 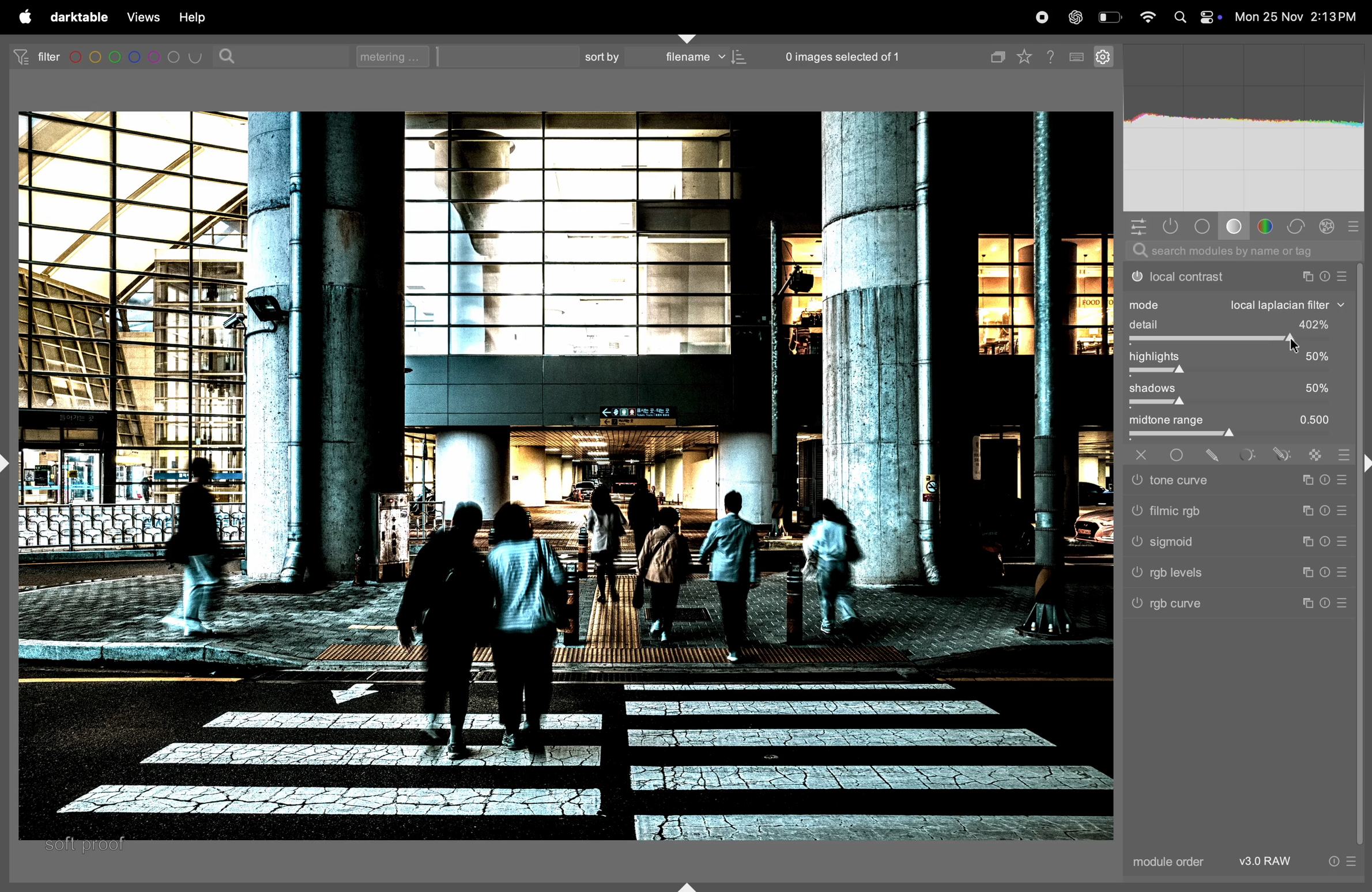 What do you see at coordinates (1238, 388) in the screenshot?
I see `shadows` at bounding box center [1238, 388].